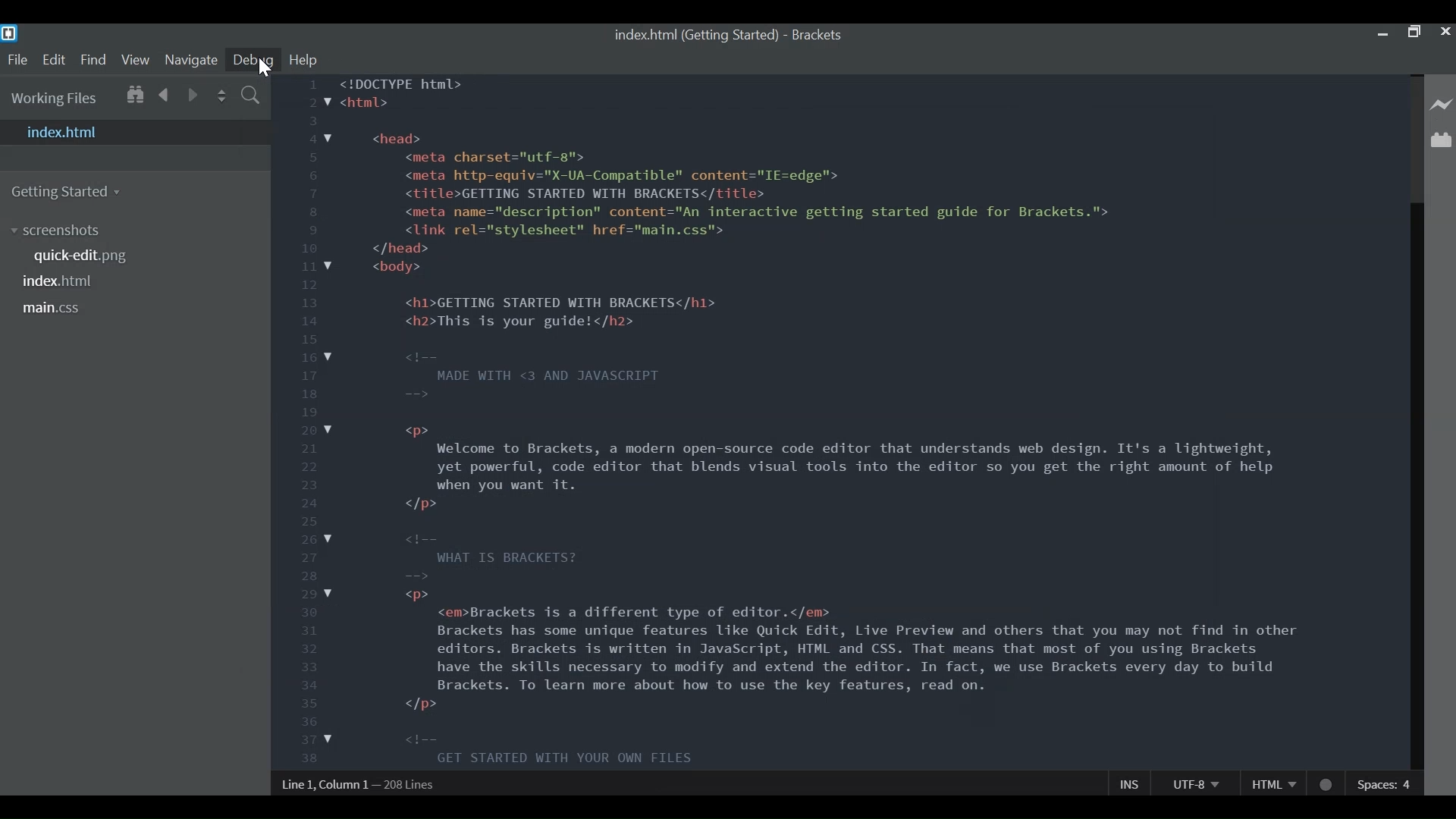  I want to click on Close, so click(1445, 33).